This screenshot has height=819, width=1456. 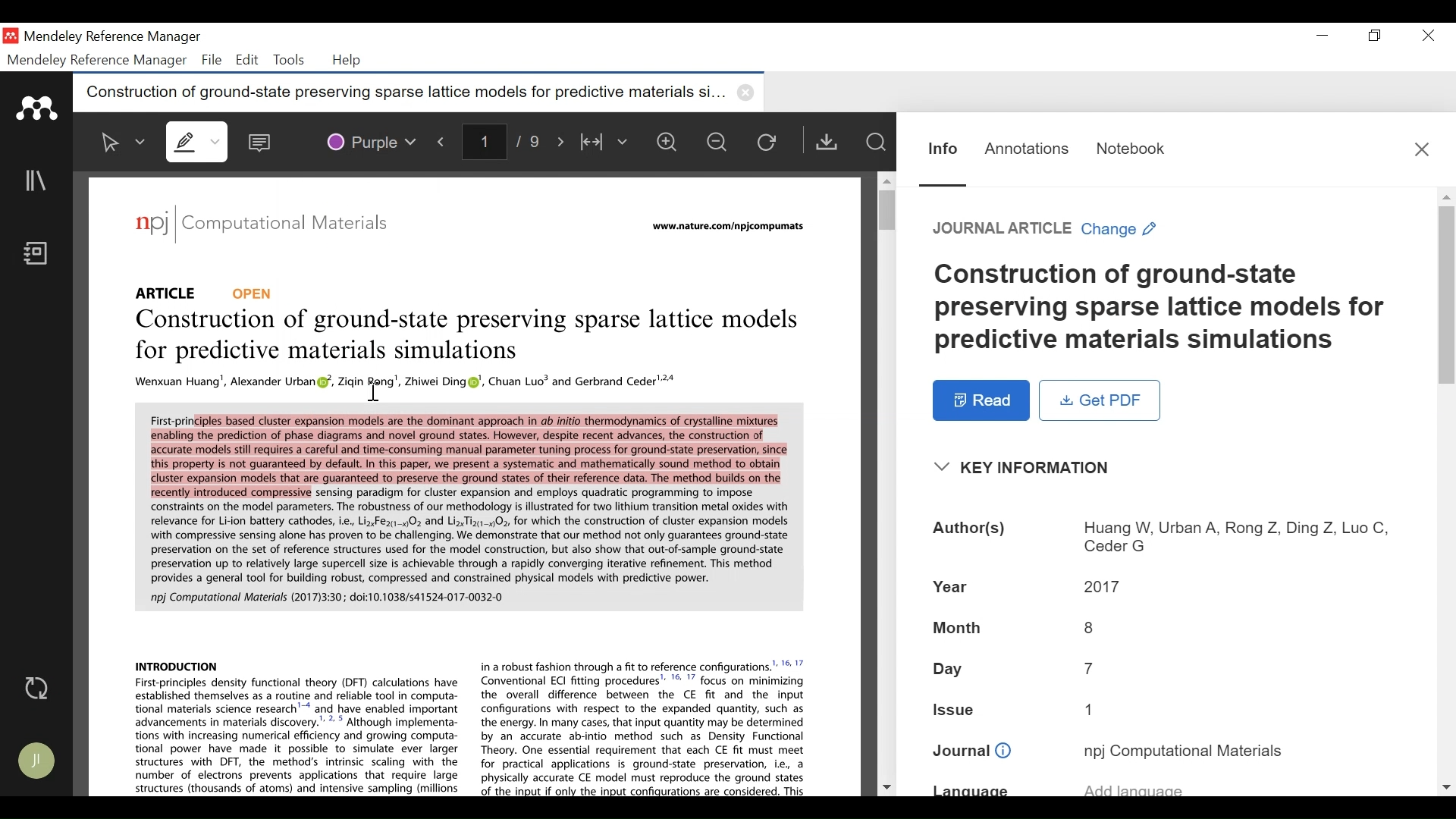 What do you see at coordinates (666, 141) in the screenshot?
I see `Zoom in` at bounding box center [666, 141].